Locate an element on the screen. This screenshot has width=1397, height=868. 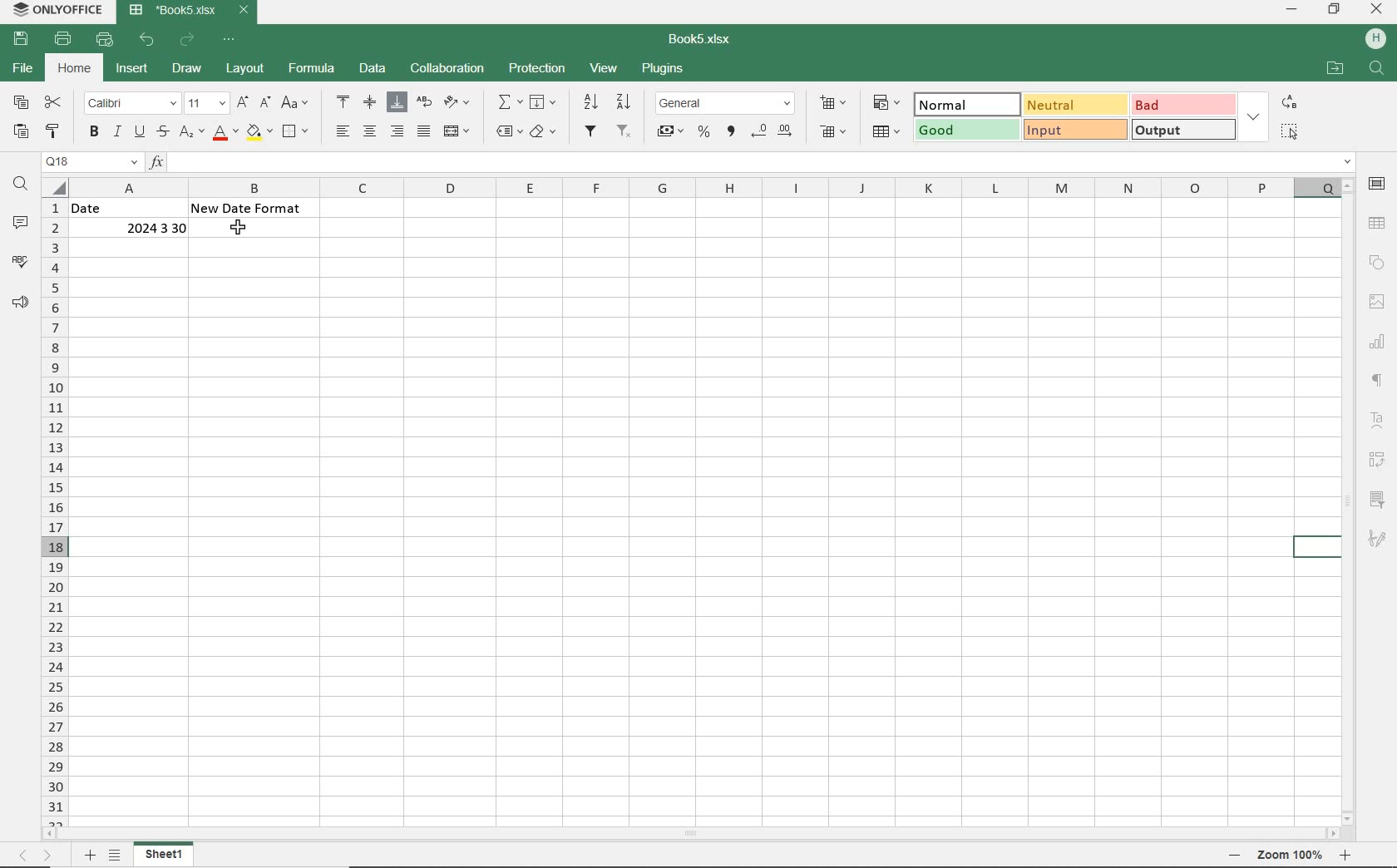
REMOVE FILTER is located at coordinates (623, 133).